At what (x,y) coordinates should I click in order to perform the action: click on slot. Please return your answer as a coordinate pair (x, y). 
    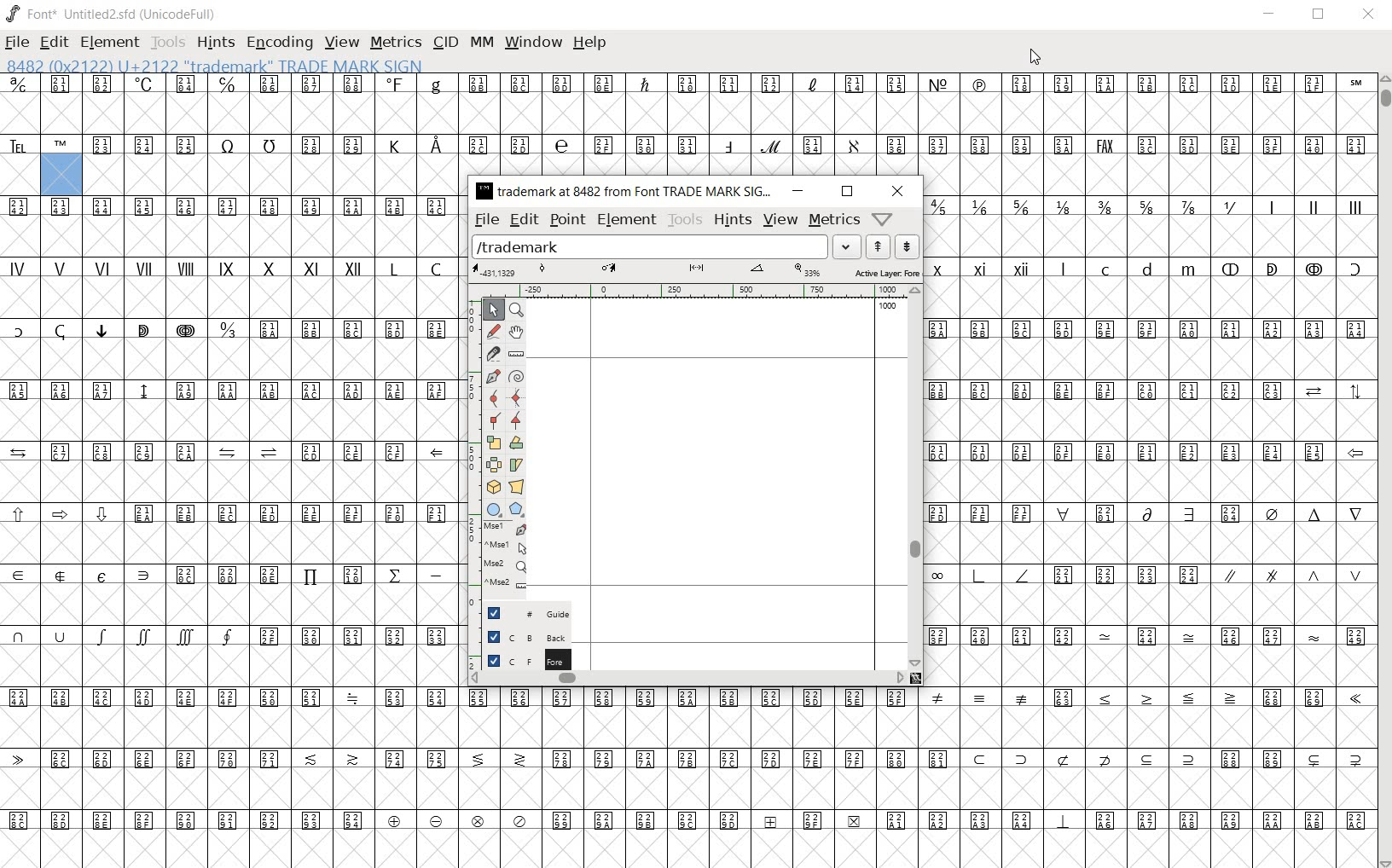
    Looking at the image, I should click on (687, 849).